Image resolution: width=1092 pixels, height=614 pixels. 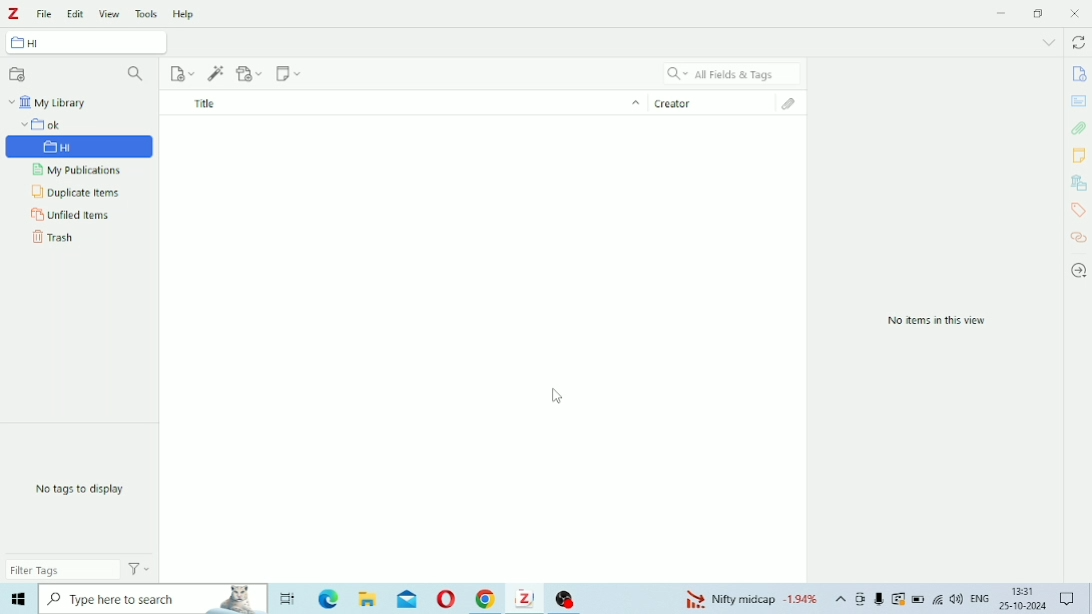 What do you see at coordinates (63, 569) in the screenshot?
I see `Filter Tags` at bounding box center [63, 569].